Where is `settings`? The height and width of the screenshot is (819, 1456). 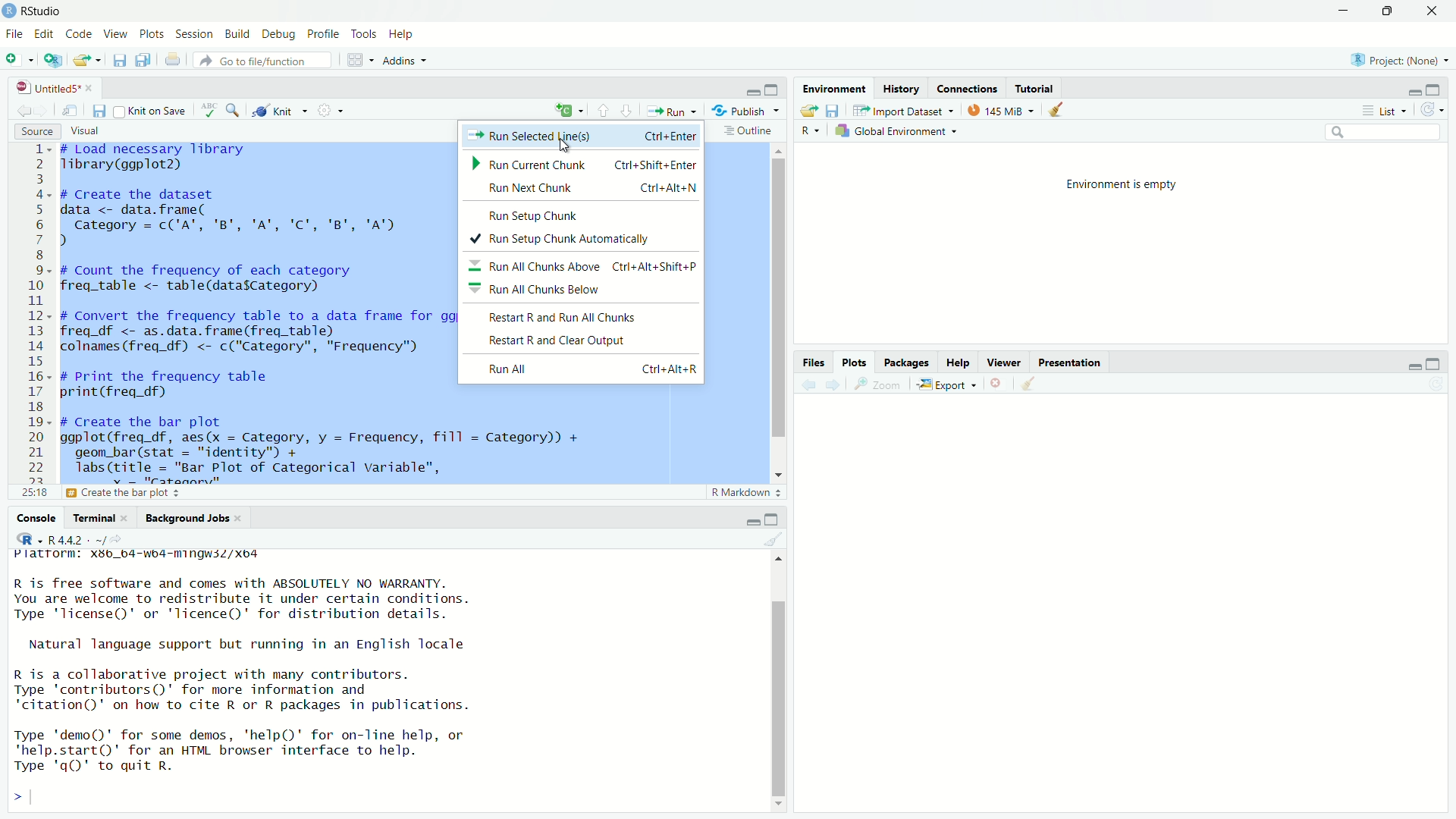
settings is located at coordinates (329, 110).